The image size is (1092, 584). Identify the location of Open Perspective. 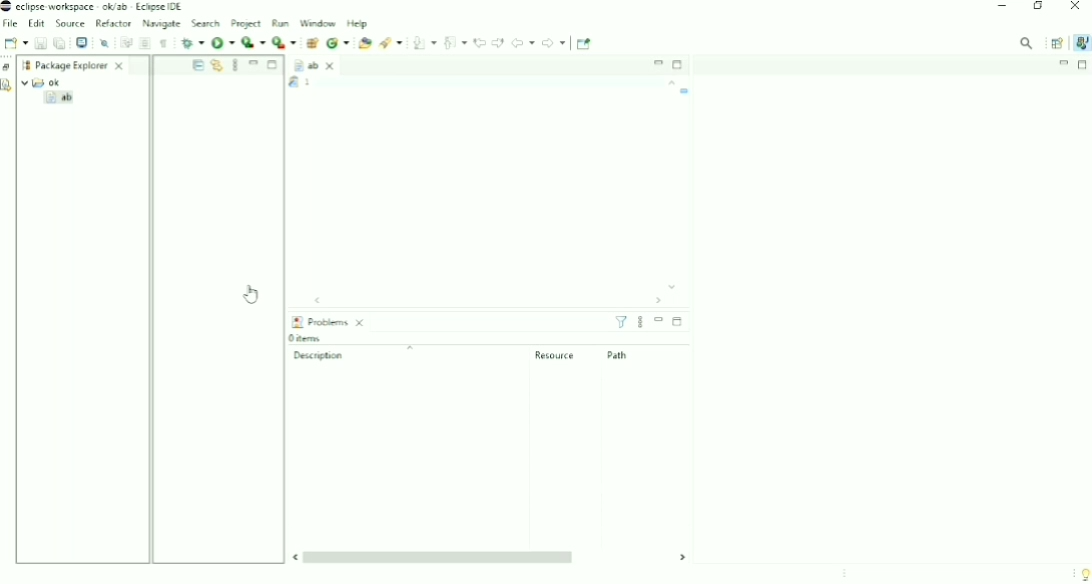
(1055, 42).